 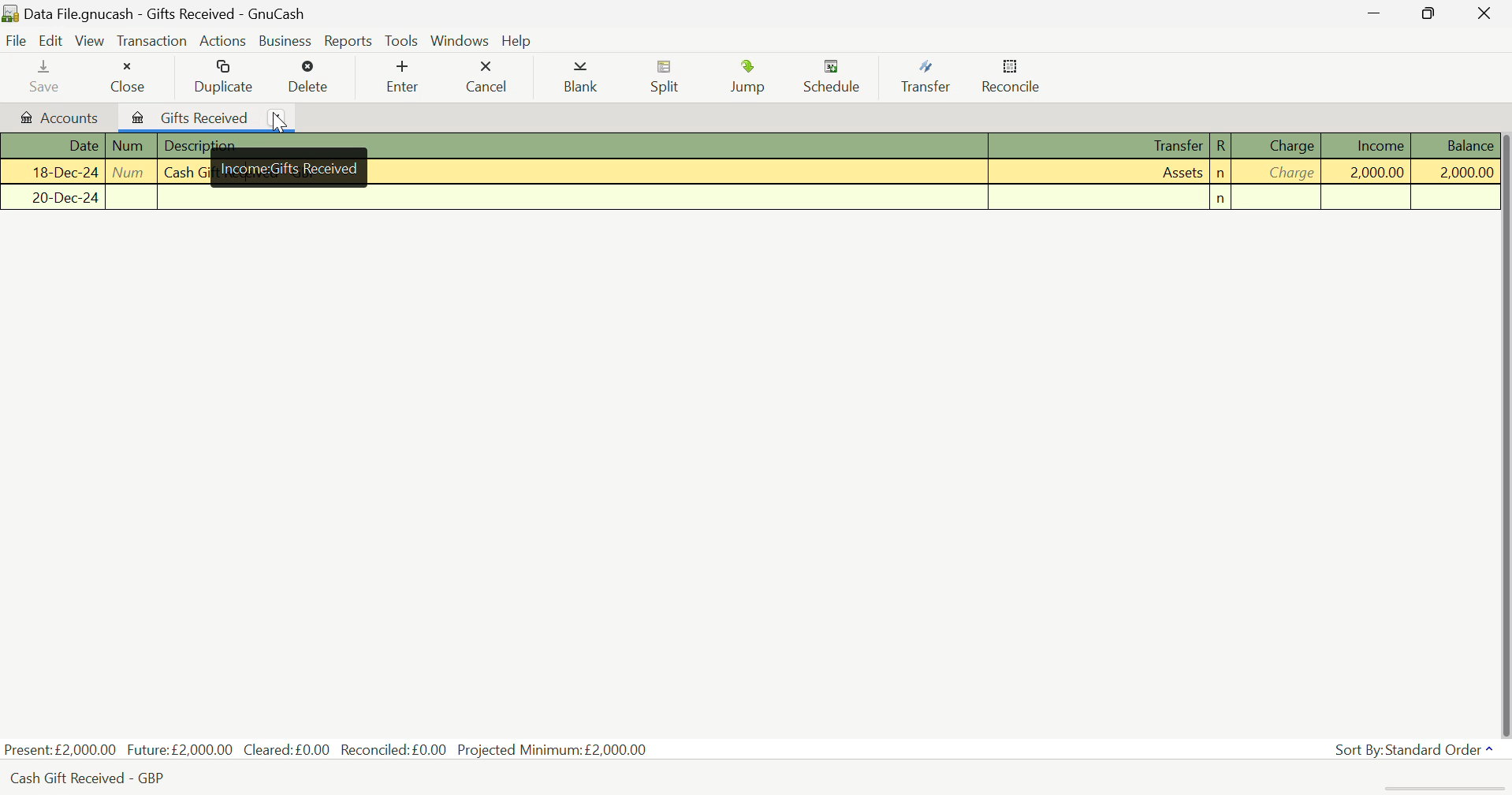 What do you see at coordinates (276, 118) in the screenshot?
I see `Close Tab` at bounding box center [276, 118].